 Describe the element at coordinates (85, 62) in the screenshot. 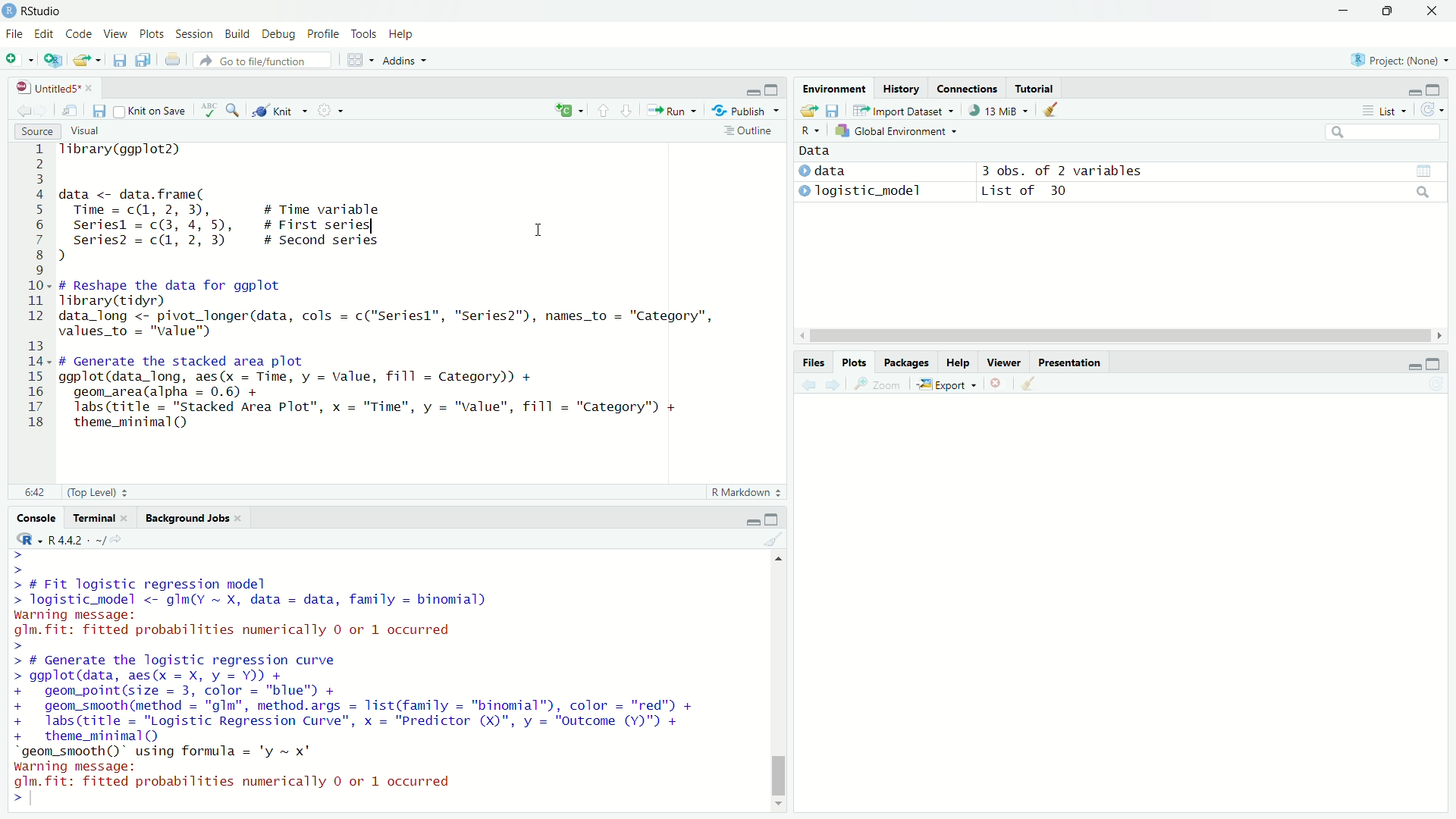

I see `export` at that location.